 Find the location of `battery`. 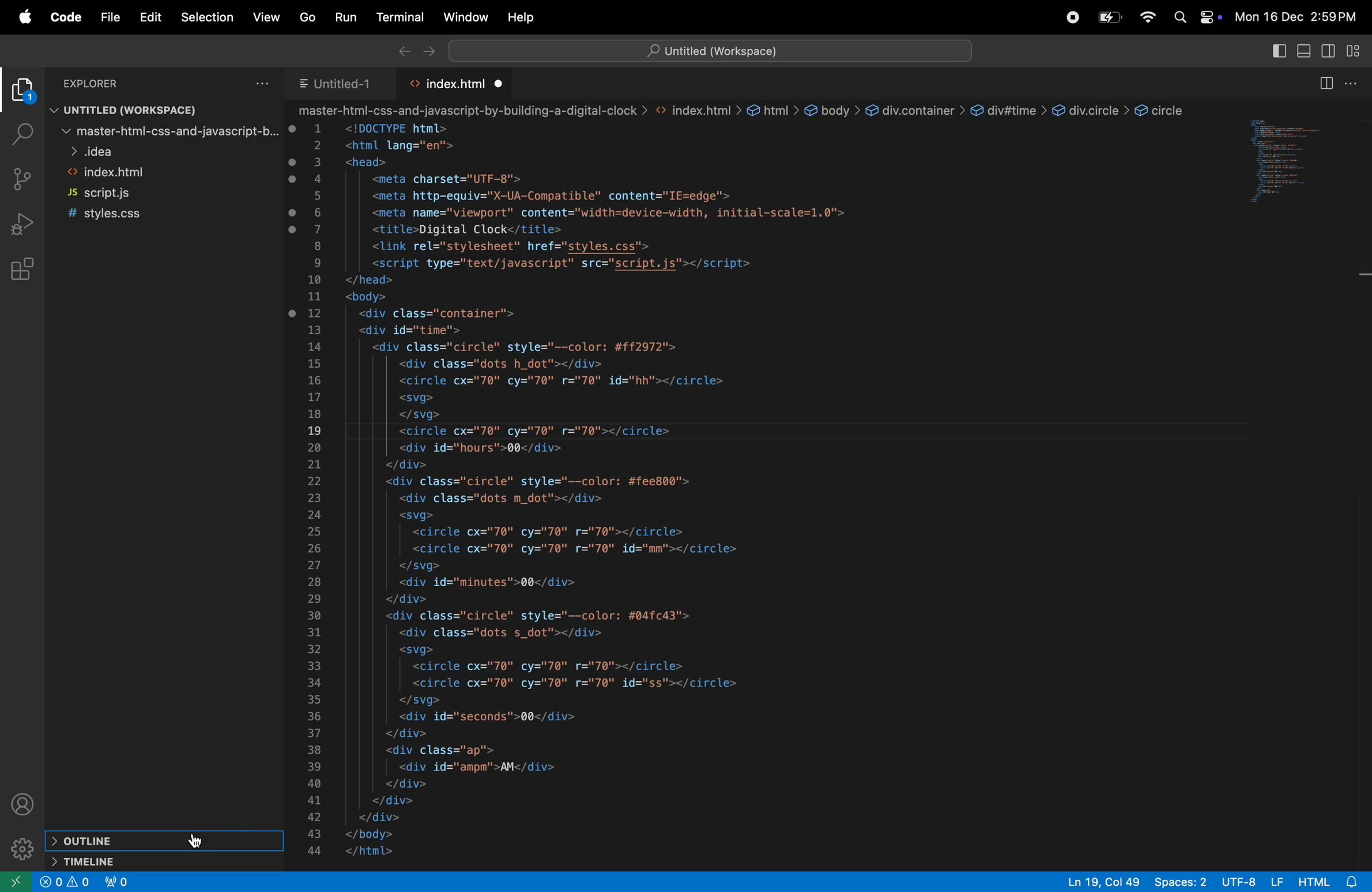

battery is located at coordinates (1107, 17).